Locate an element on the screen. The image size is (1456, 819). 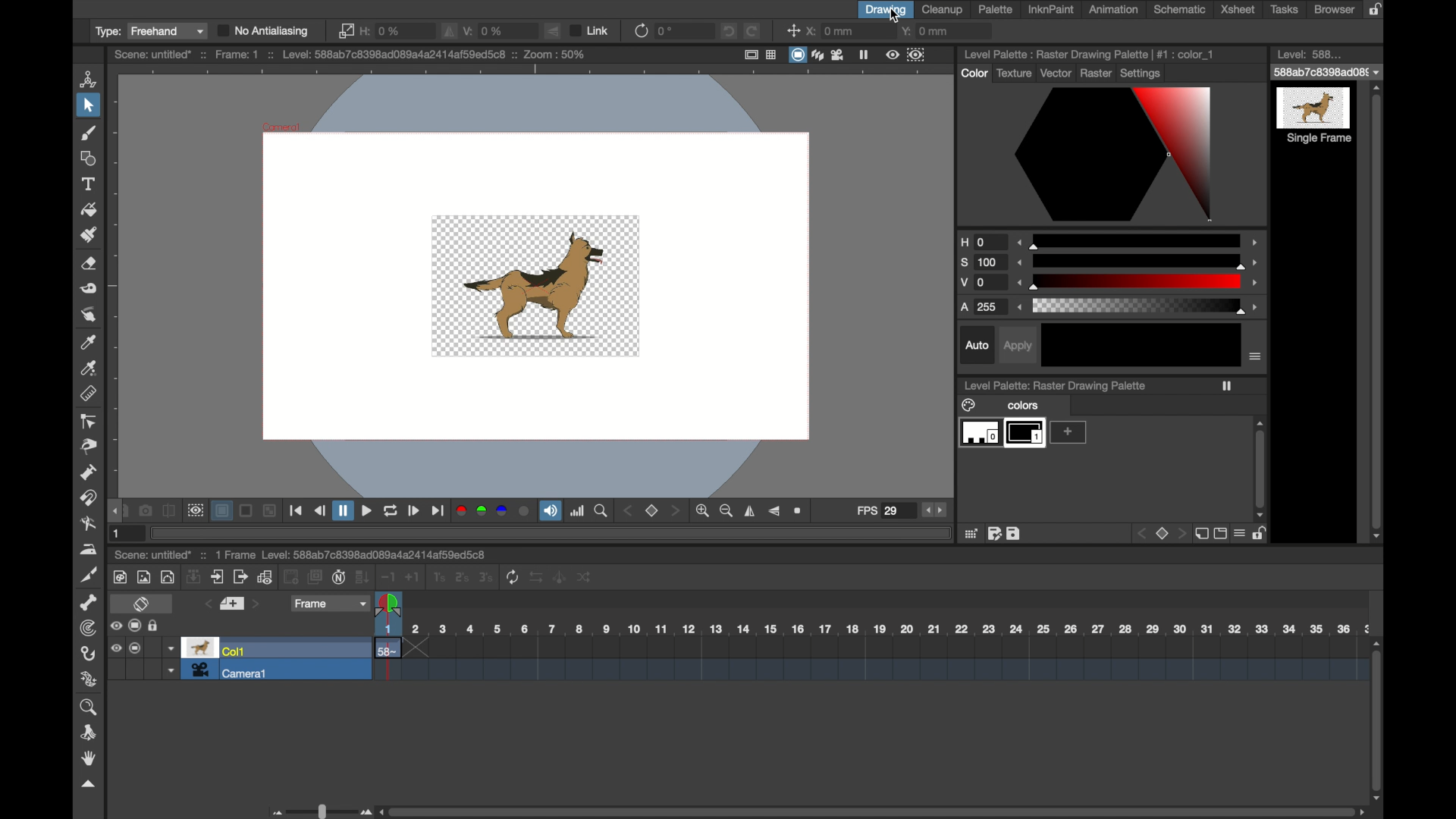
zoom is located at coordinates (90, 708).